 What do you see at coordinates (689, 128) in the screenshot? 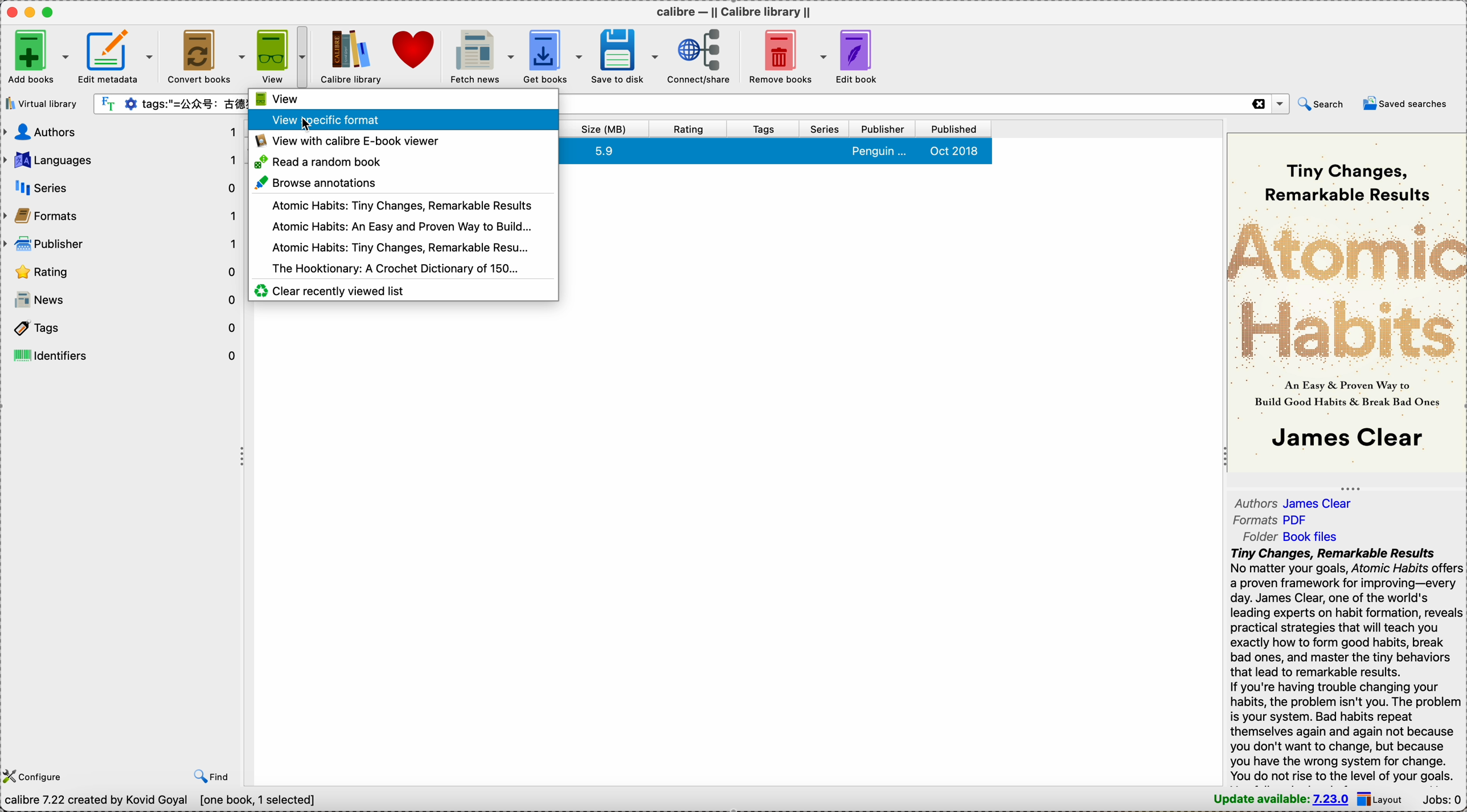
I see `rating` at bounding box center [689, 128].